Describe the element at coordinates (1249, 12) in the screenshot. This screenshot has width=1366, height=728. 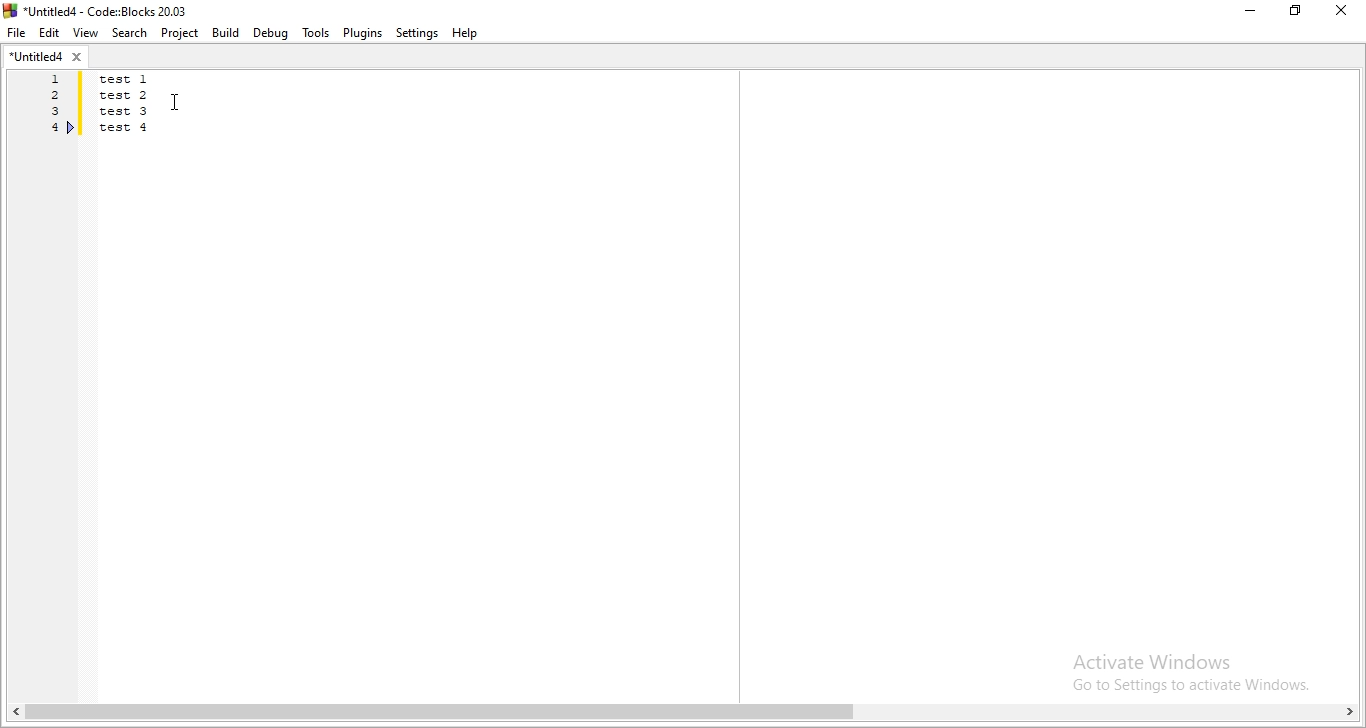
I see `Minimise` at that location.